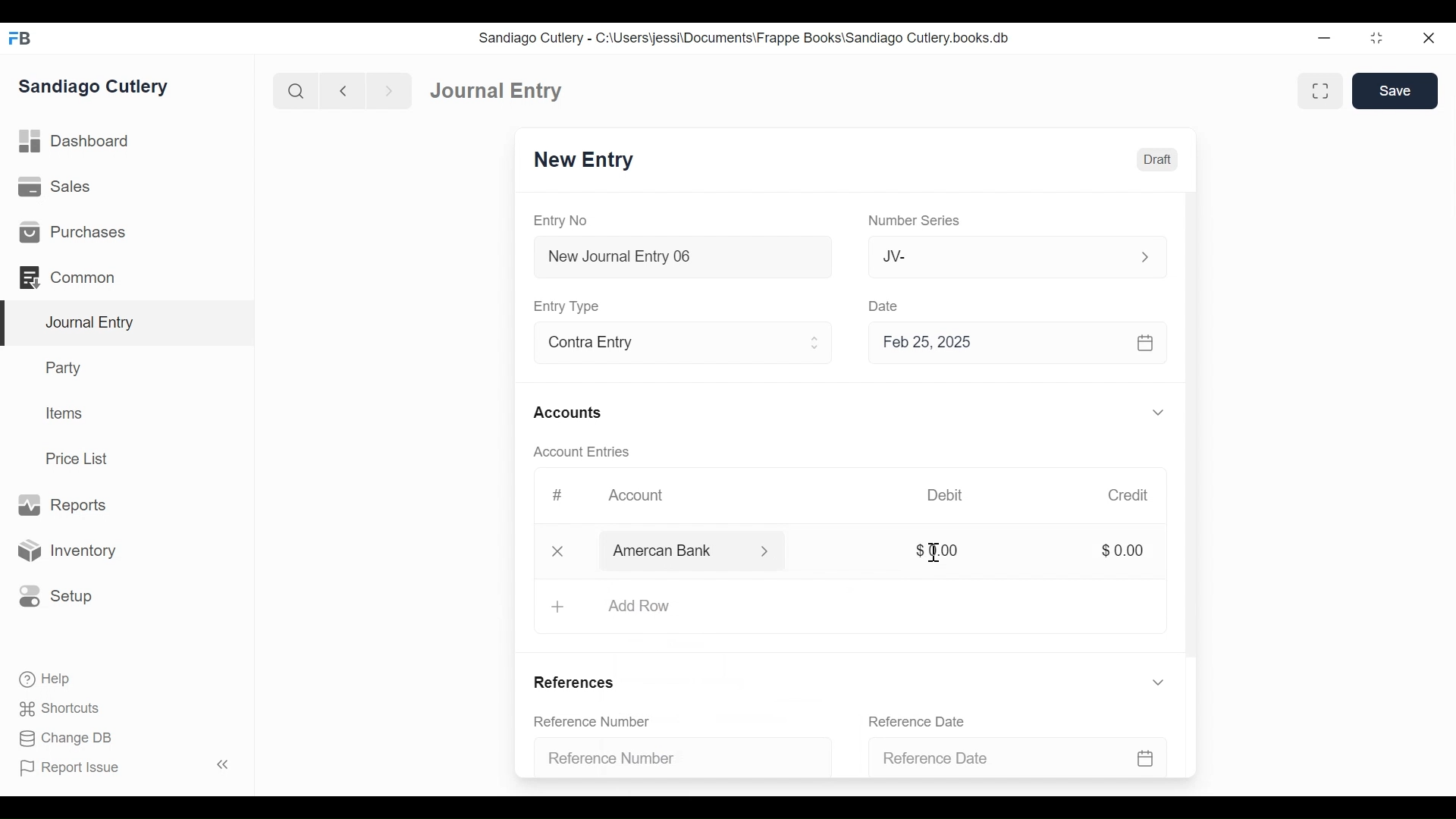 This screenshot has width=1456, height=819. What do you see at coordinates (1193, 431) in the screenshot?
I see `Vertical Scroll bar` at bounding box center [1193, 431].